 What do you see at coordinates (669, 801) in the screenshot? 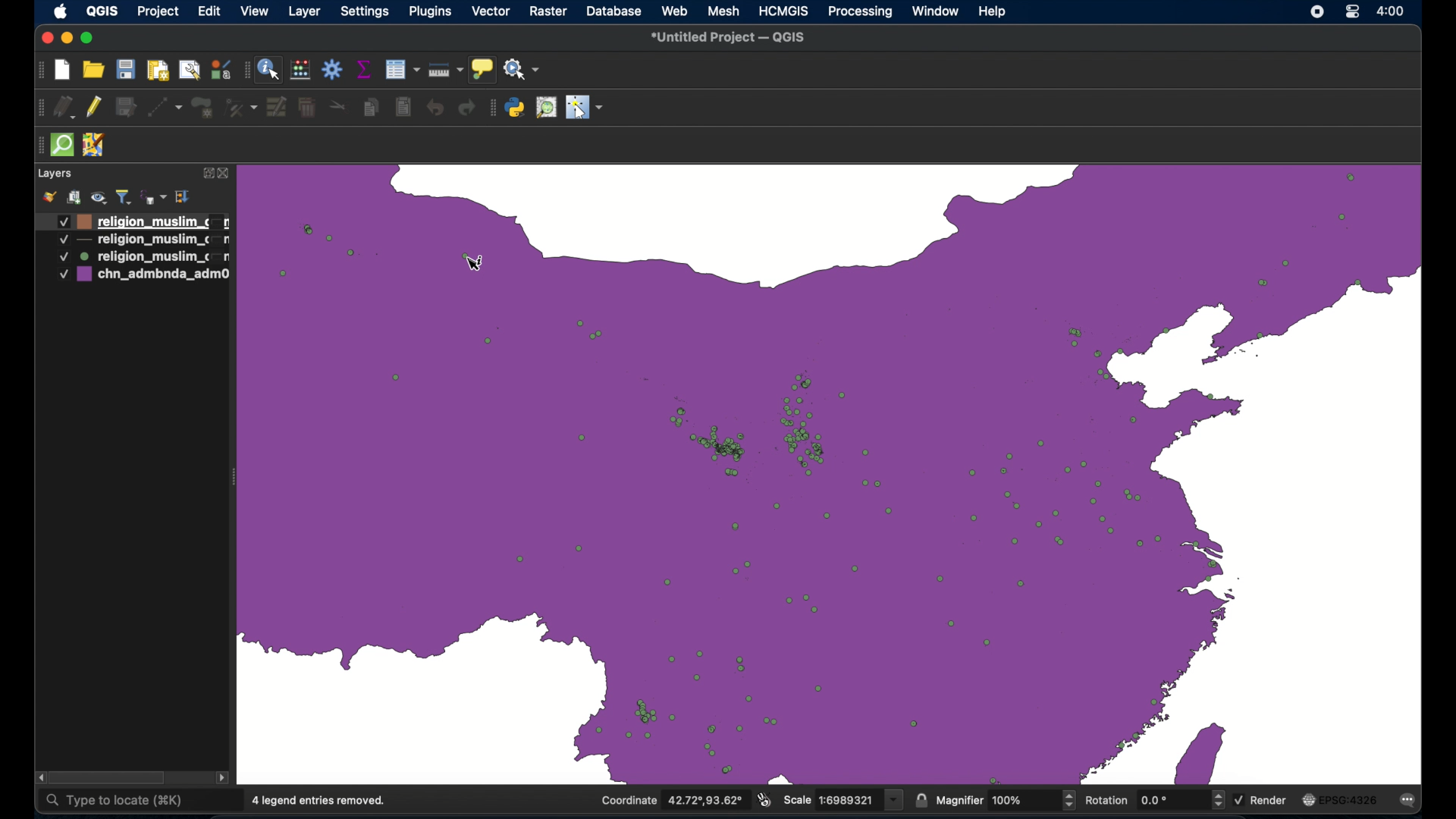
I see `coordinate` at bounding box center [669, 801].